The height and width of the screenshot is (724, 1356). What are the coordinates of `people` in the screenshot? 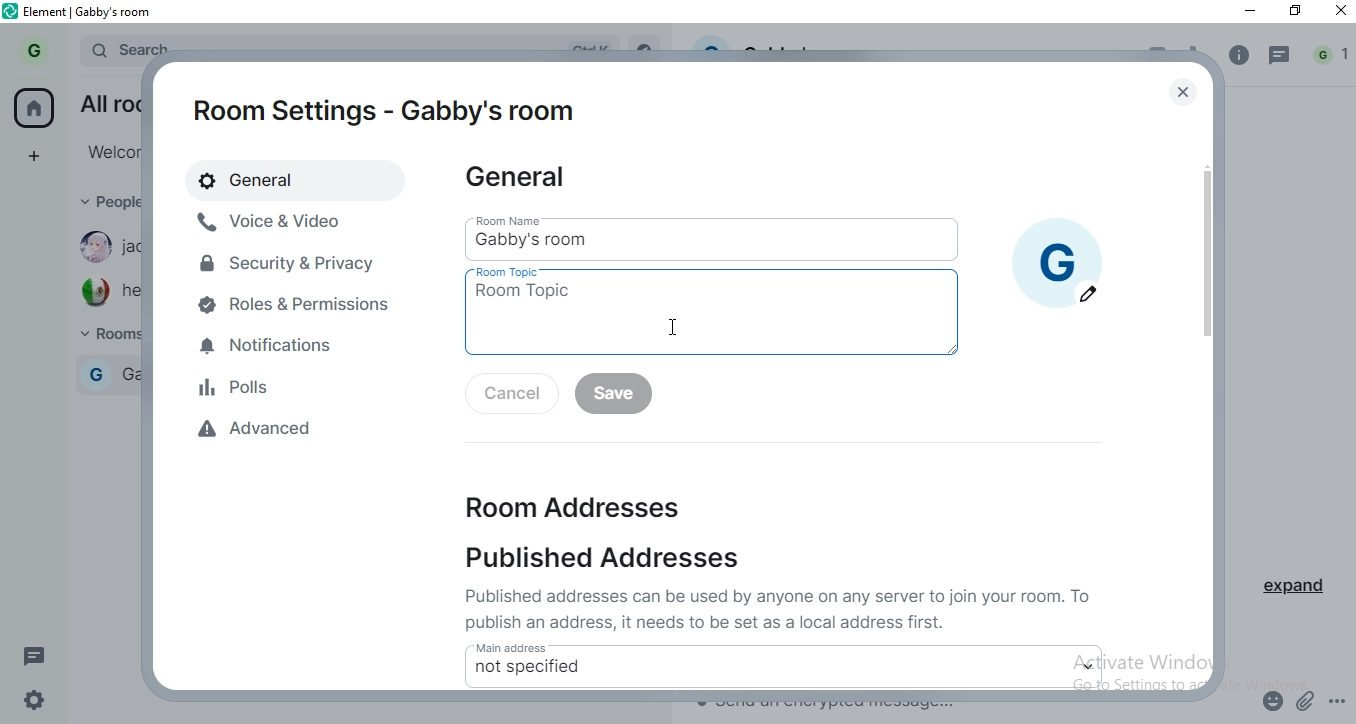 It's located at (106, 203).